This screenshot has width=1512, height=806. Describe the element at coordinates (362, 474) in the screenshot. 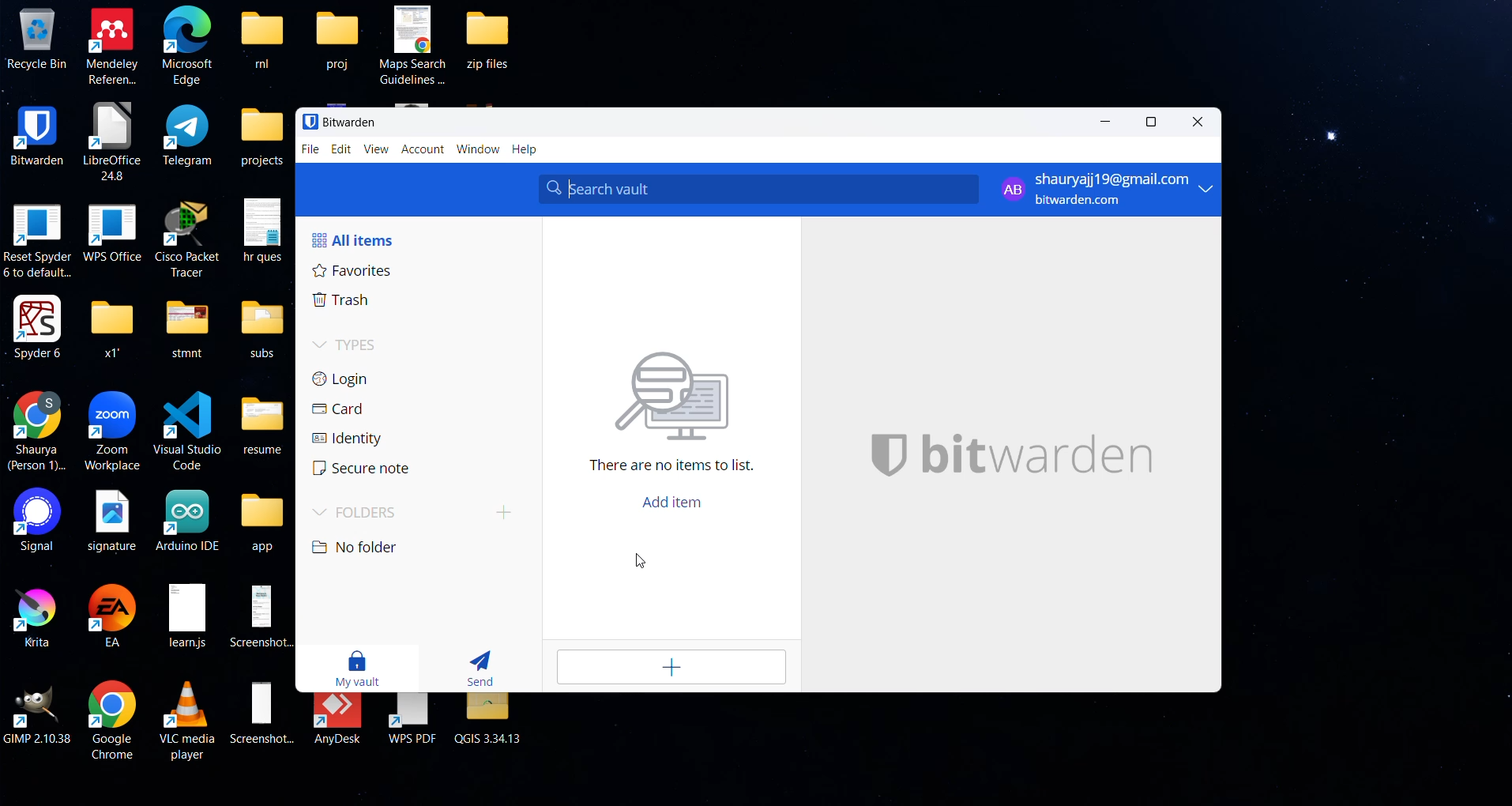

I see `secure note` at that location.